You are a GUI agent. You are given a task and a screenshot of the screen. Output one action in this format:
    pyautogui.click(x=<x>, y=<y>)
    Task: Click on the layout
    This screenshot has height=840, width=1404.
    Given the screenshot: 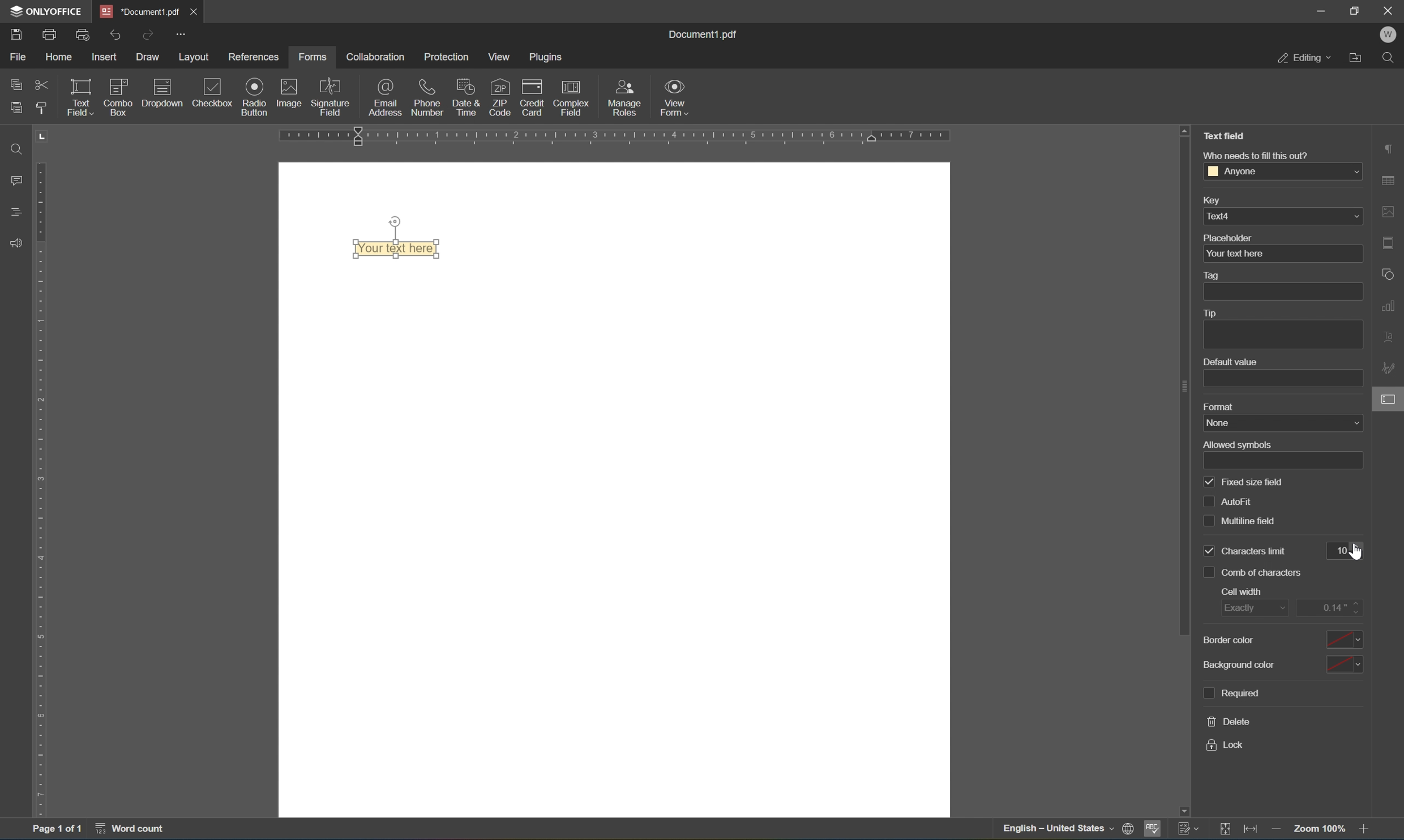 What is the action you would take?
    pyautogui.click(x=192, y=55)
    